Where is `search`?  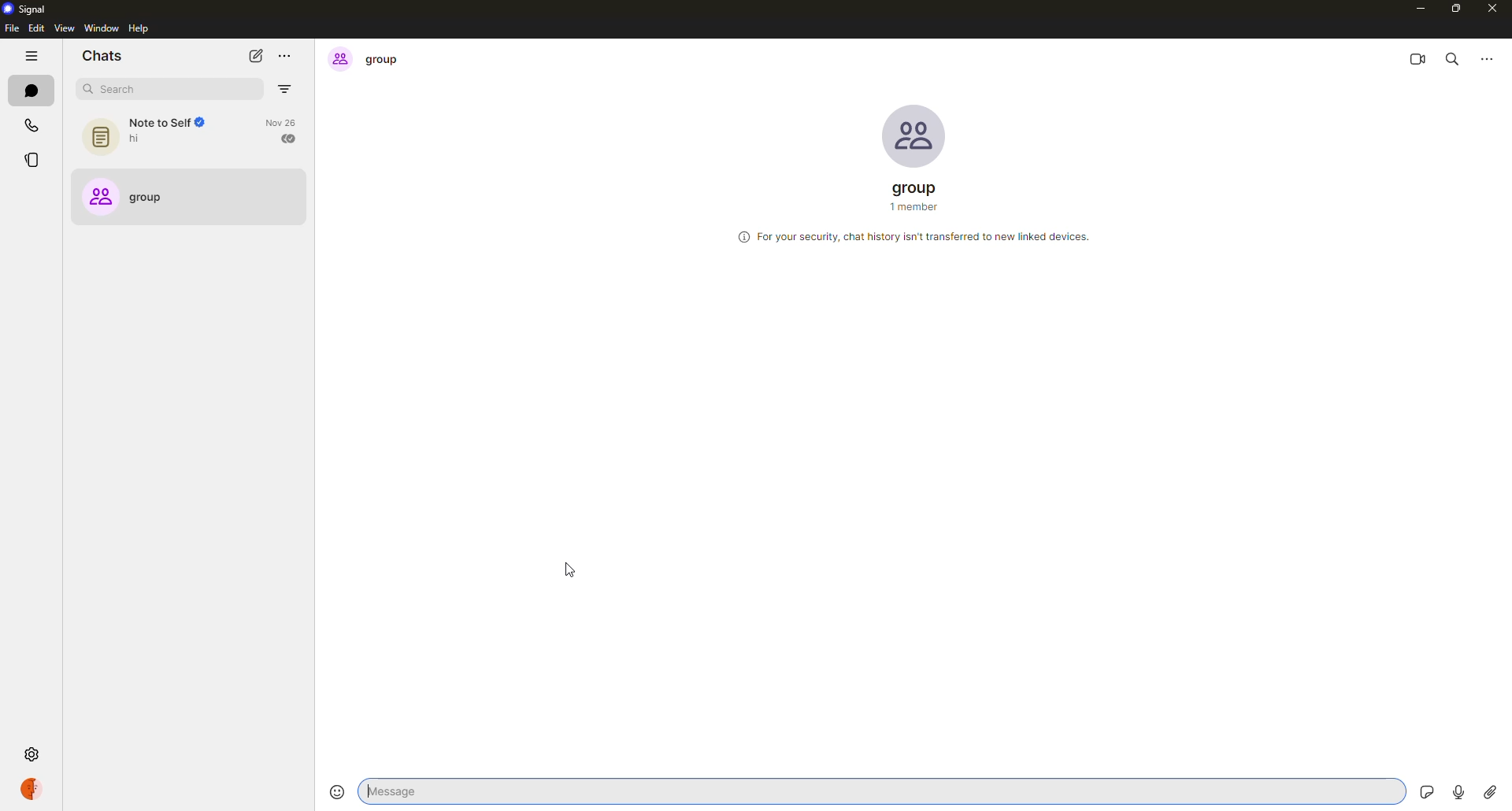 search is located at coordinates (145, 89).